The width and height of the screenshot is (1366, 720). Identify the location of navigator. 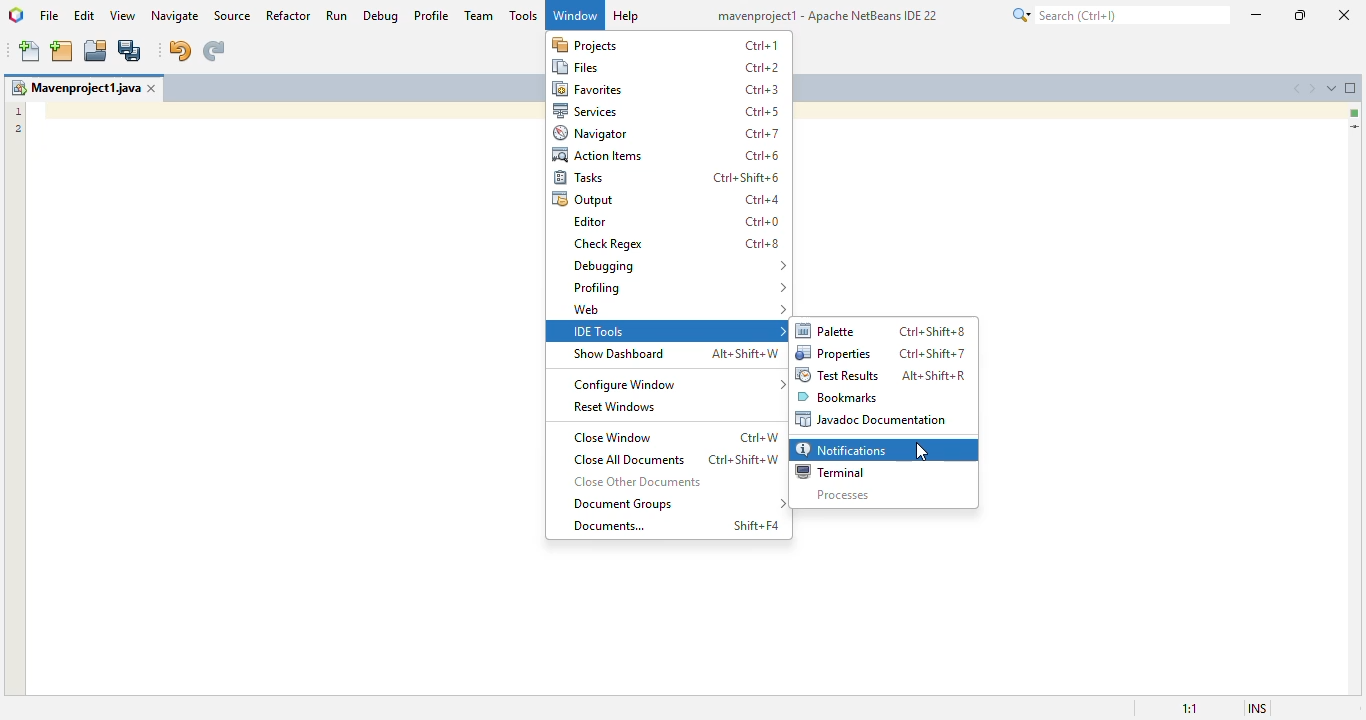
(593, 133).